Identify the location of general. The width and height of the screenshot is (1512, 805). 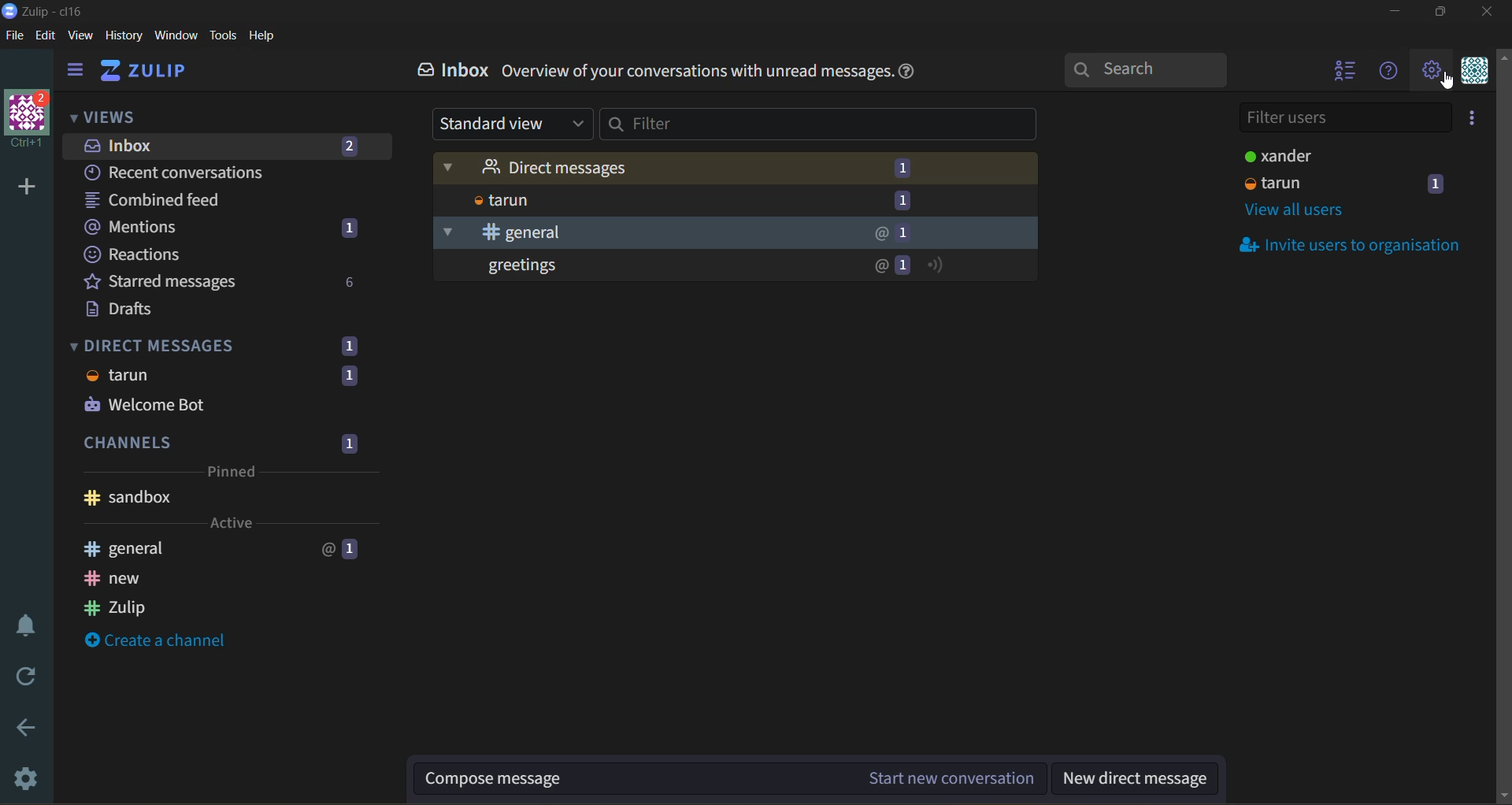
(733, 232).